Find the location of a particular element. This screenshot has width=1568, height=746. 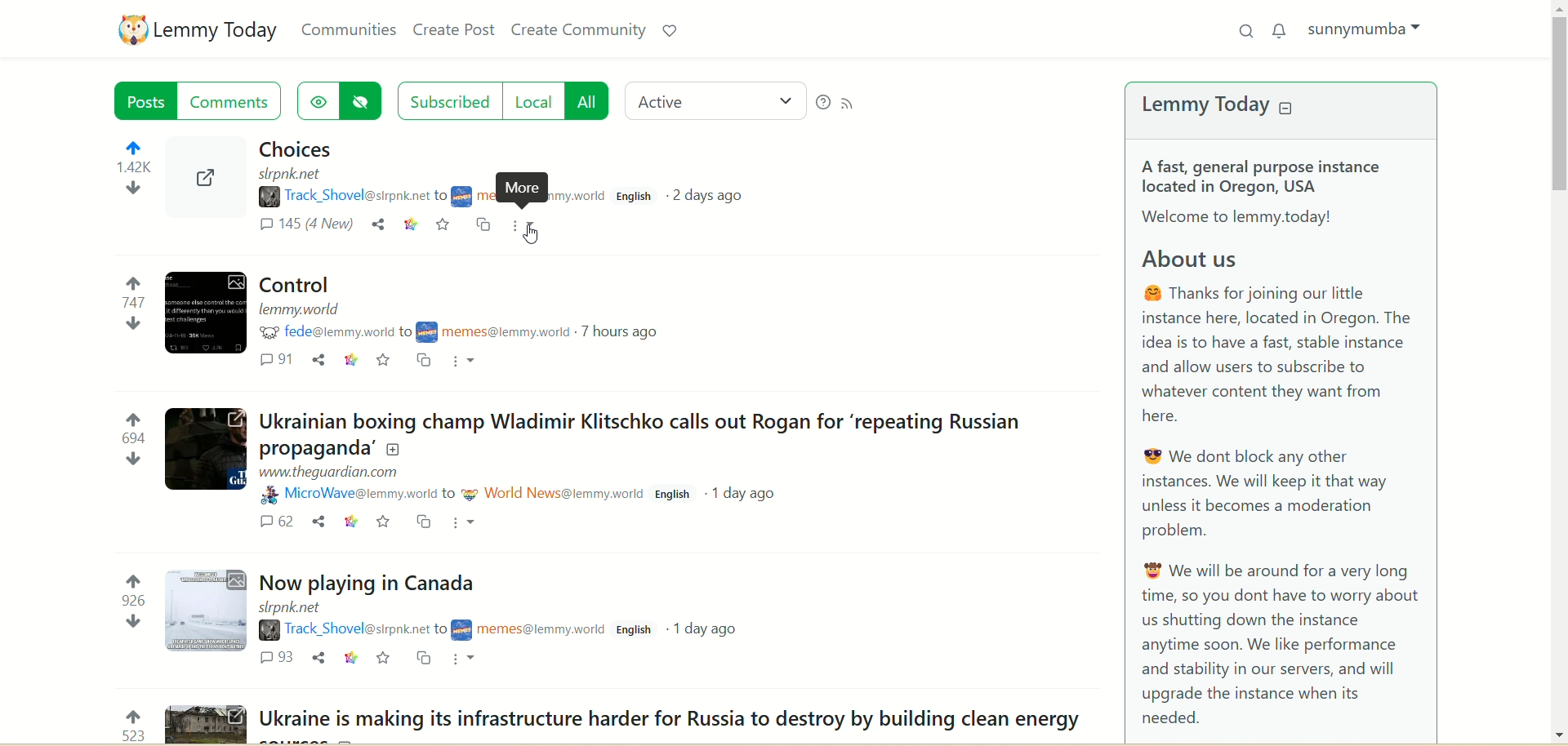

Expand the post with image details is located at coordinates (203, 724).